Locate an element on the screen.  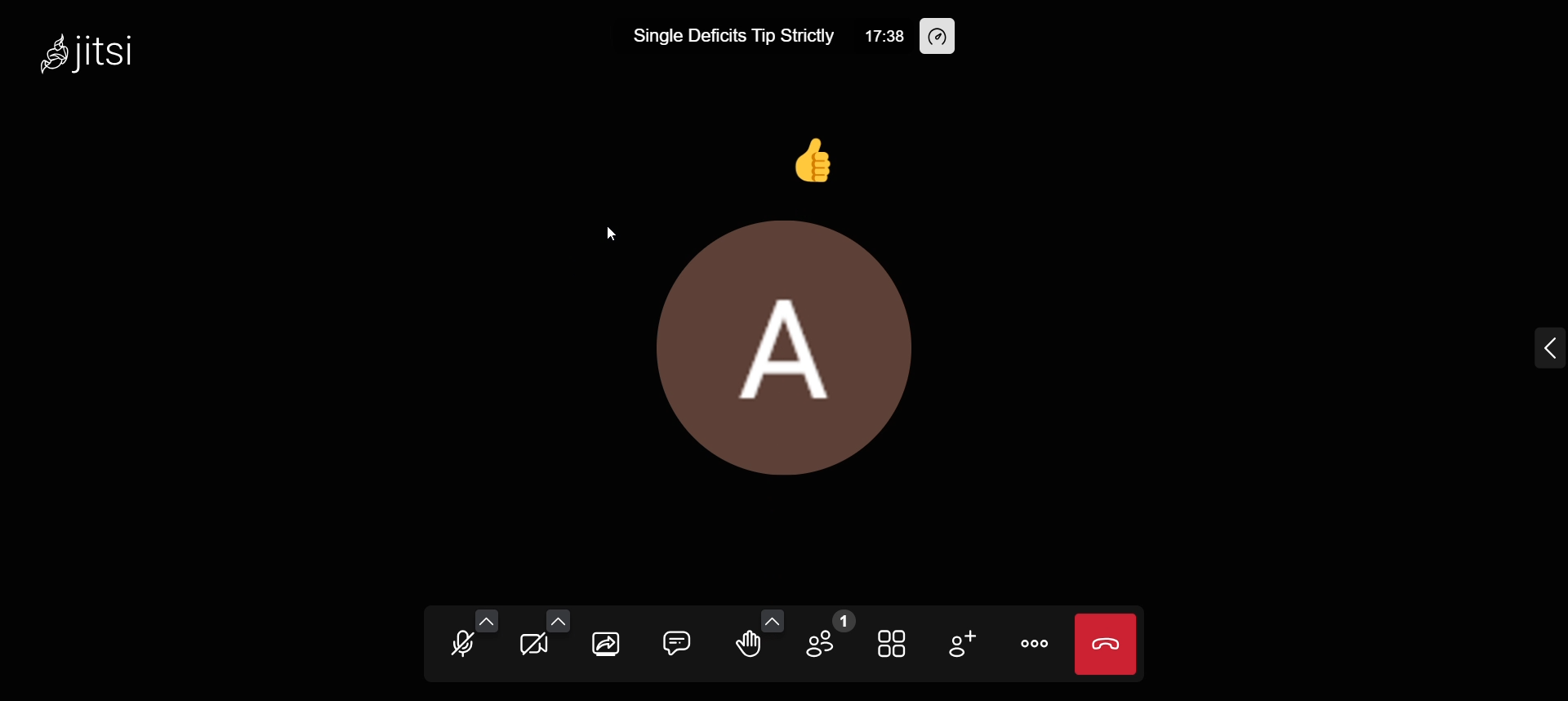
Cursor is located at coordinates (608, 232).